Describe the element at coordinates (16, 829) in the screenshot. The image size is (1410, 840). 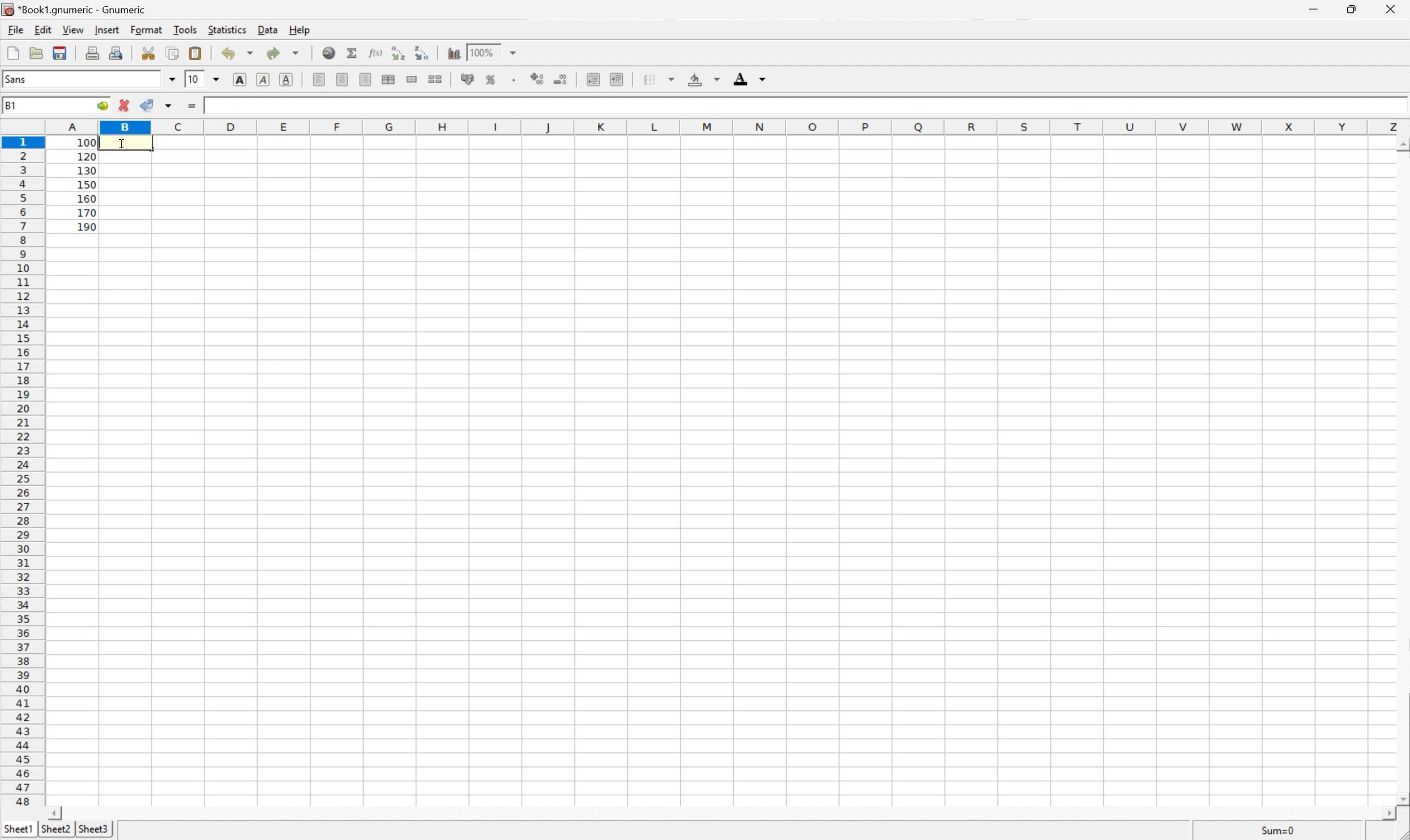
I see `Sheet1` at that location.